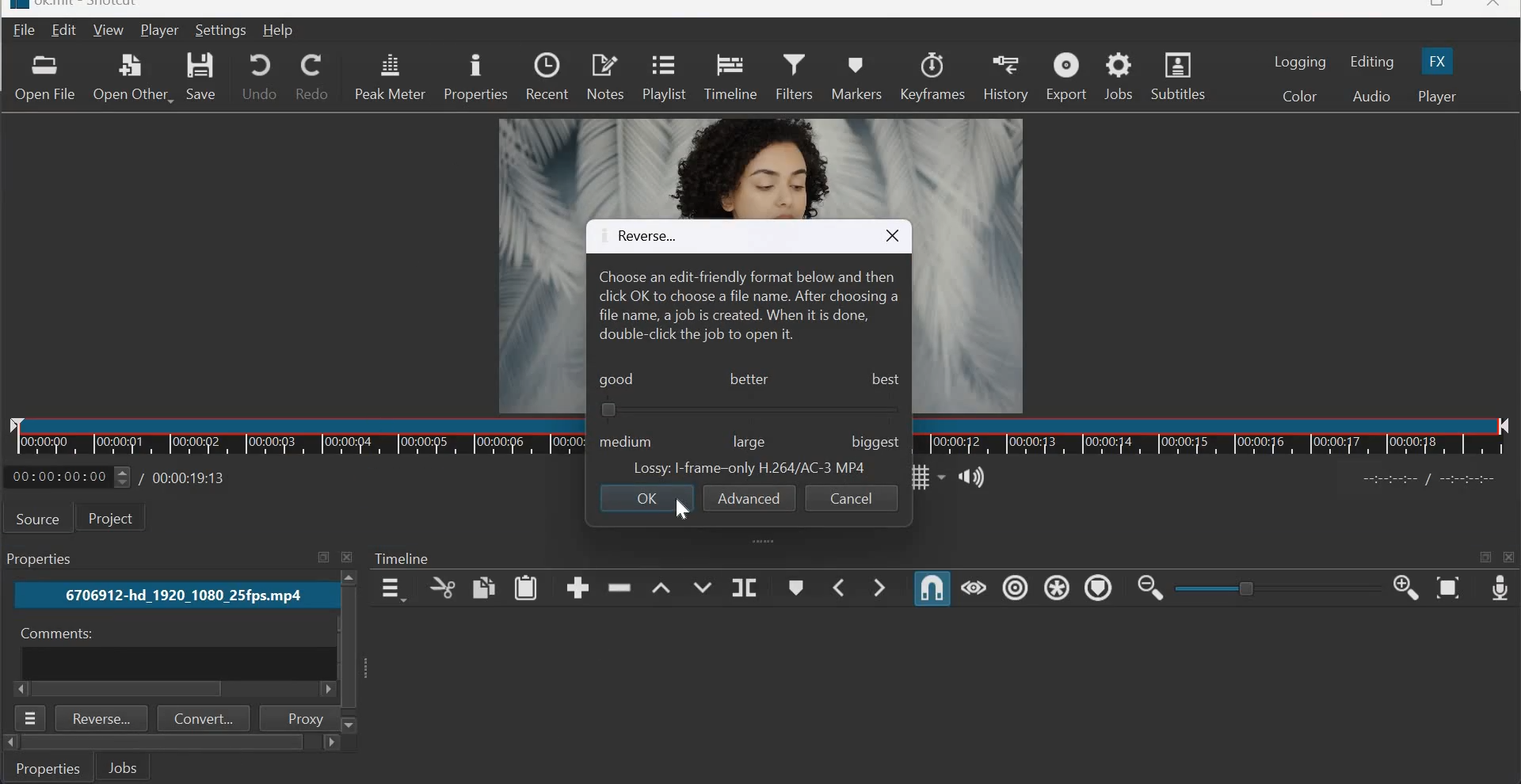 The image size is (1521, 784). What do you see at coordinates (1150, 590) in the screenshot?
I see `Zoom Timeline out` at bounding box center [1150, 590].